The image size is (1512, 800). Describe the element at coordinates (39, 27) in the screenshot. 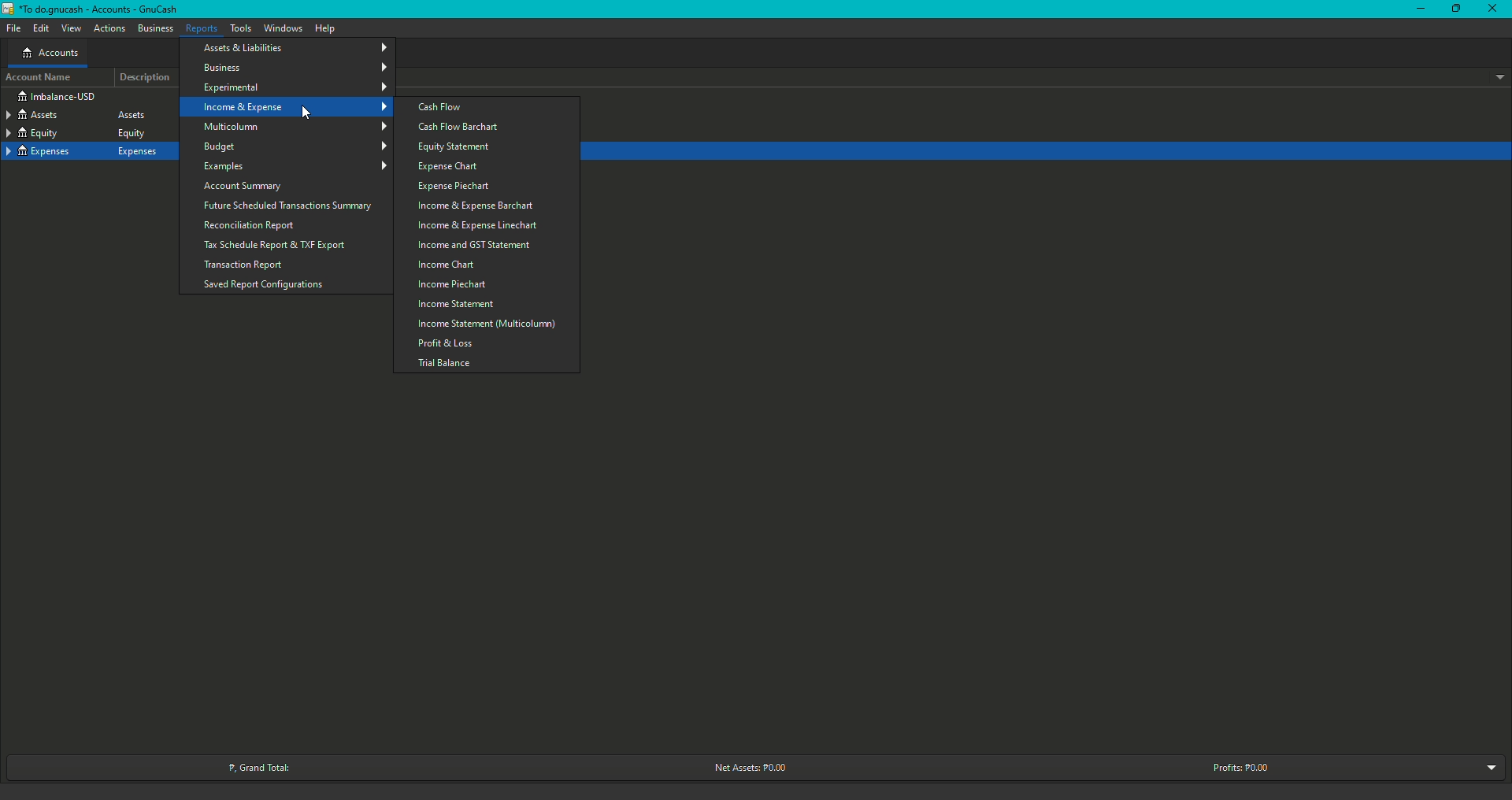

I see `Edit` at that location.